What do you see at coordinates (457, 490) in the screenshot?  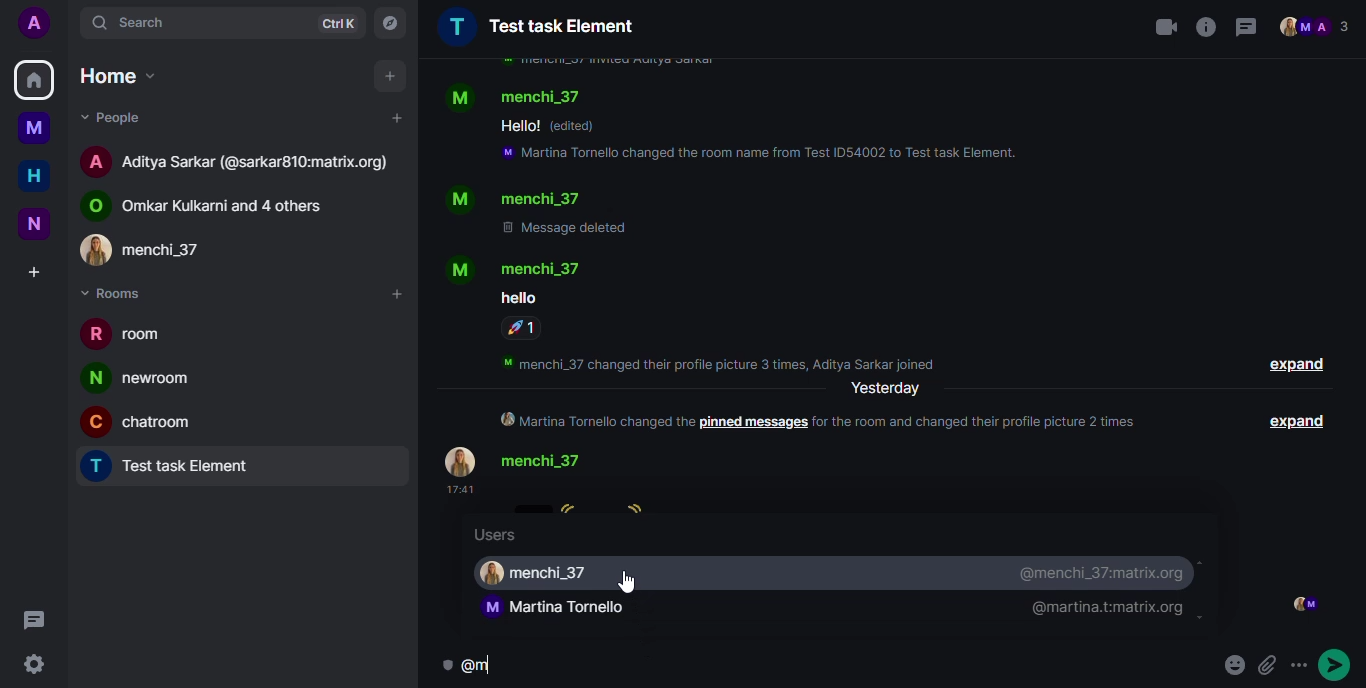 I see `time` at bounding box center [457, 490].